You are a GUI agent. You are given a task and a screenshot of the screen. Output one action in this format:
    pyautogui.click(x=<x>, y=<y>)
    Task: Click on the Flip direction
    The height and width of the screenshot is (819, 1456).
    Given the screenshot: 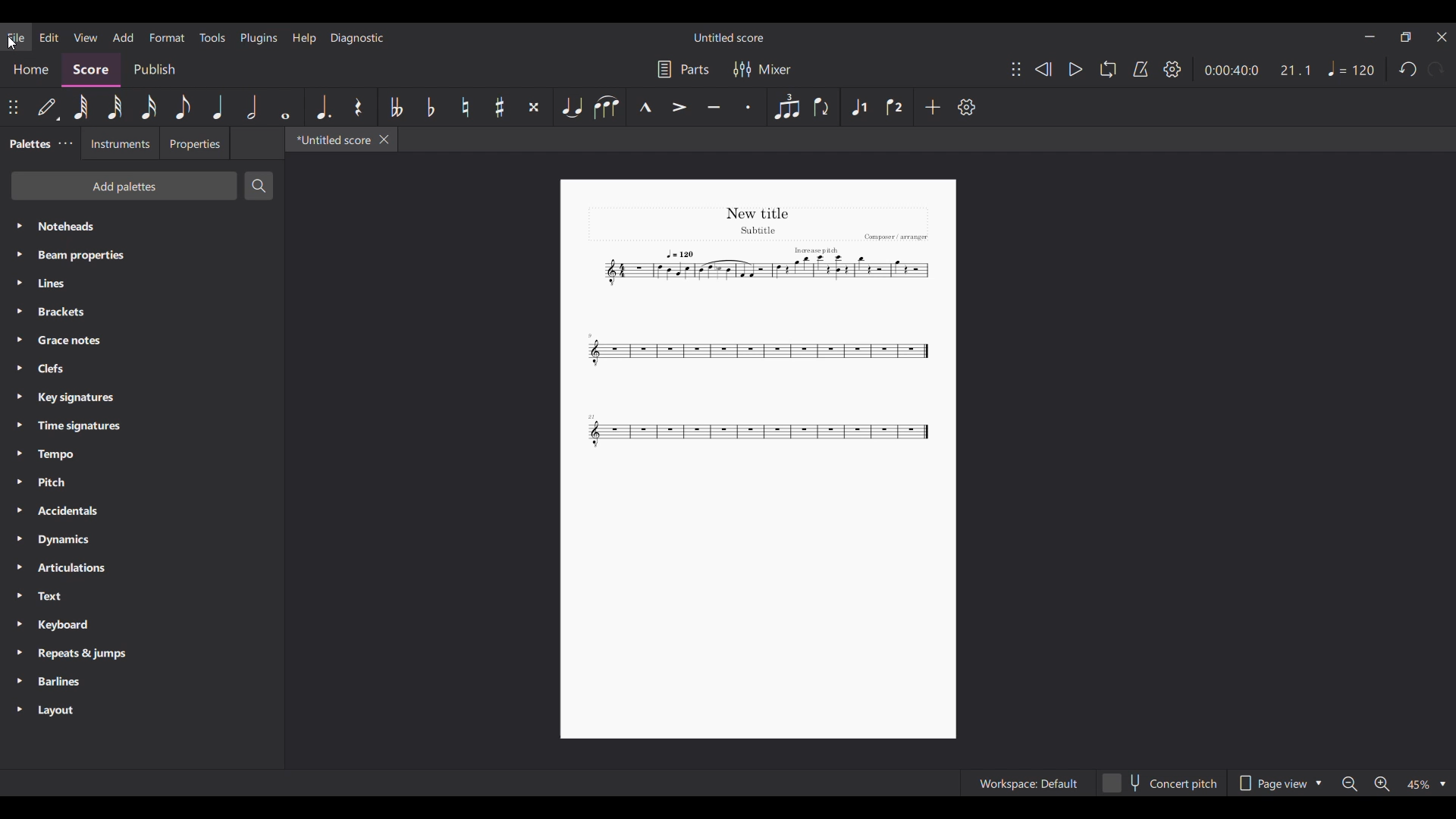 What is the action you would take?
    pyautogui.click(x=824, y=107)
    